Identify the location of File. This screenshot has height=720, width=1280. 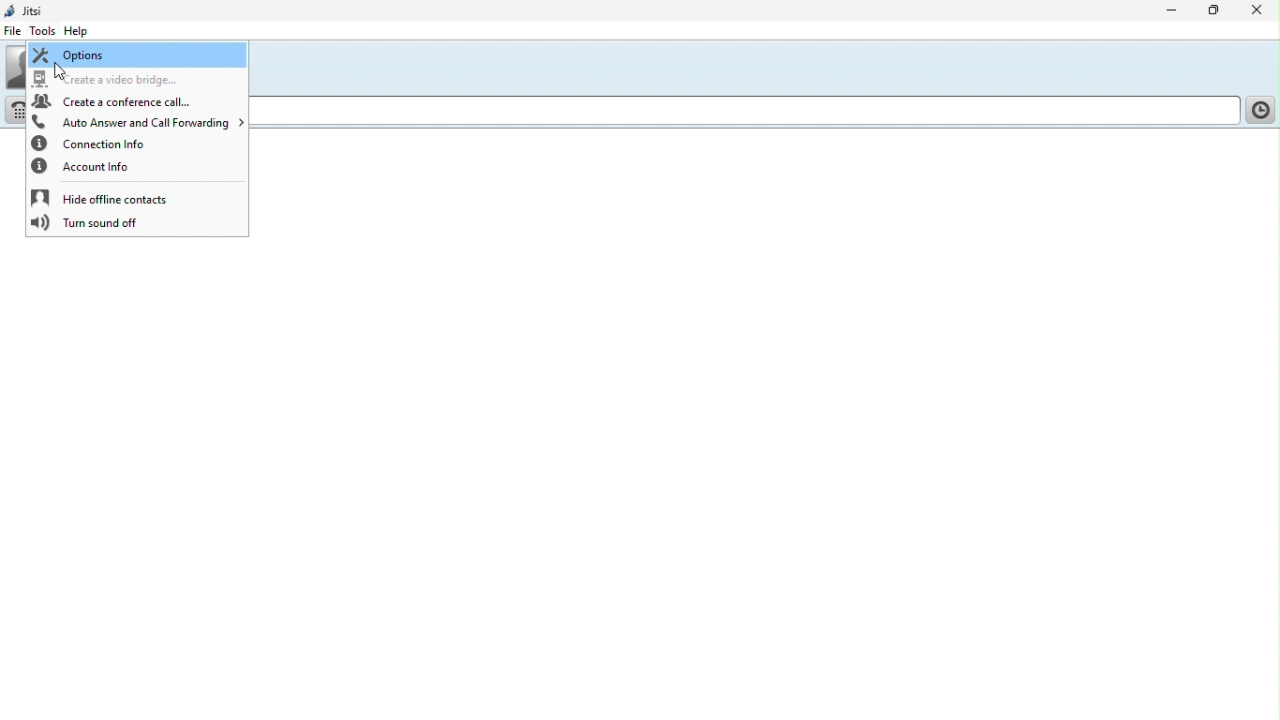
(12, 31).